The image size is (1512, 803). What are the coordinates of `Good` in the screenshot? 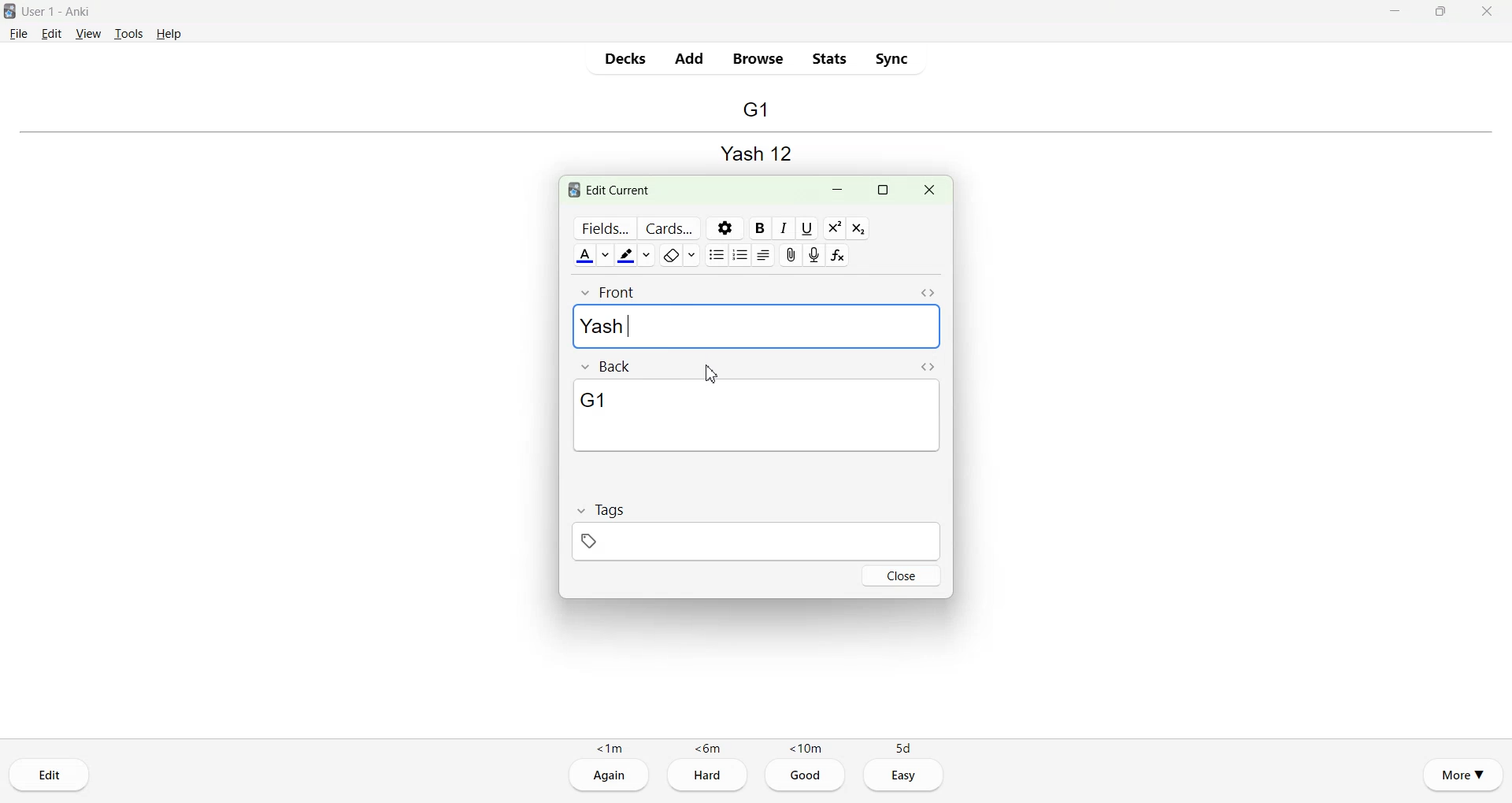 It's located at (806, 776).